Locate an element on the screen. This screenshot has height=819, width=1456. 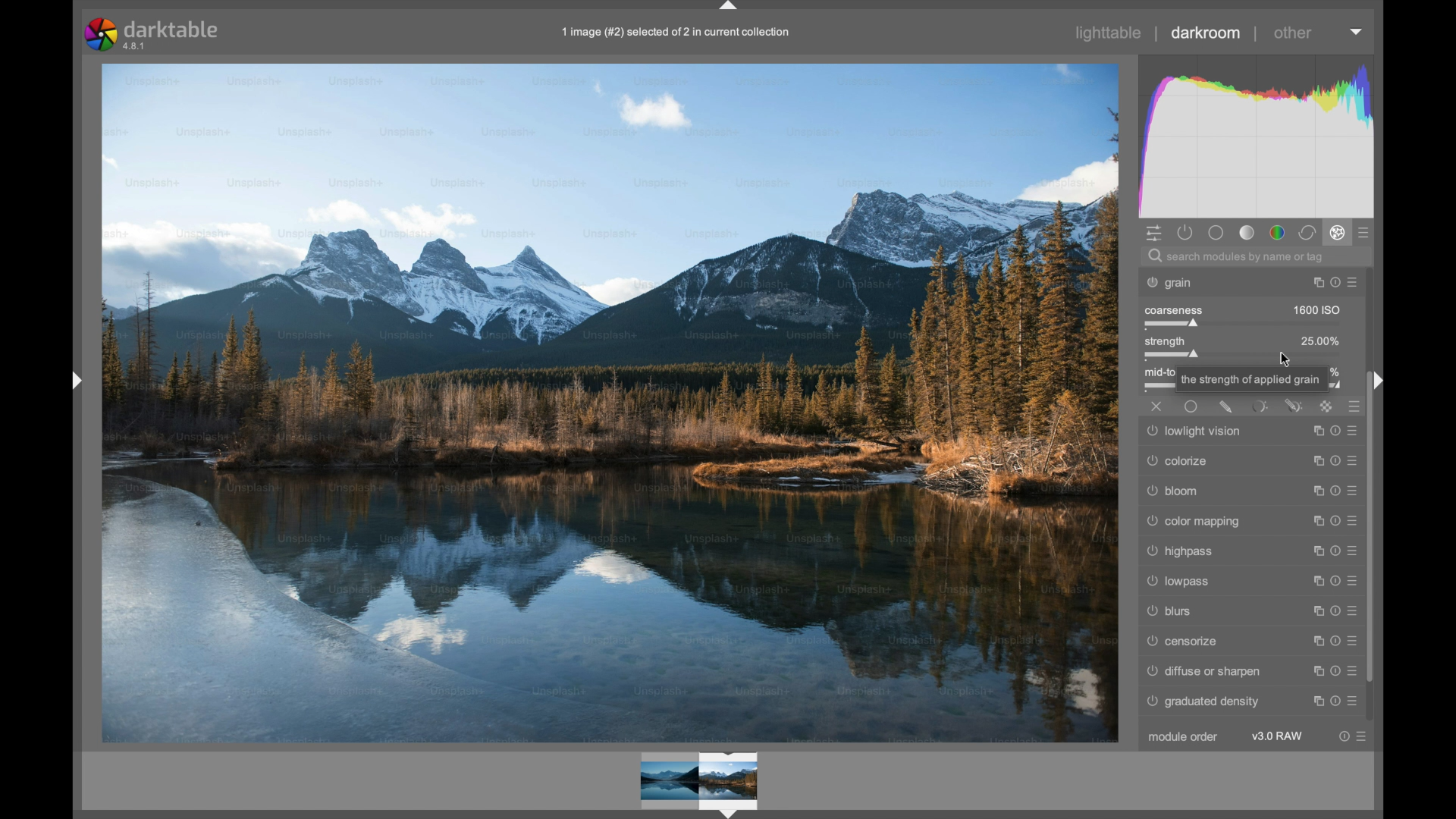
instance is located at coordinates (1314, 642).